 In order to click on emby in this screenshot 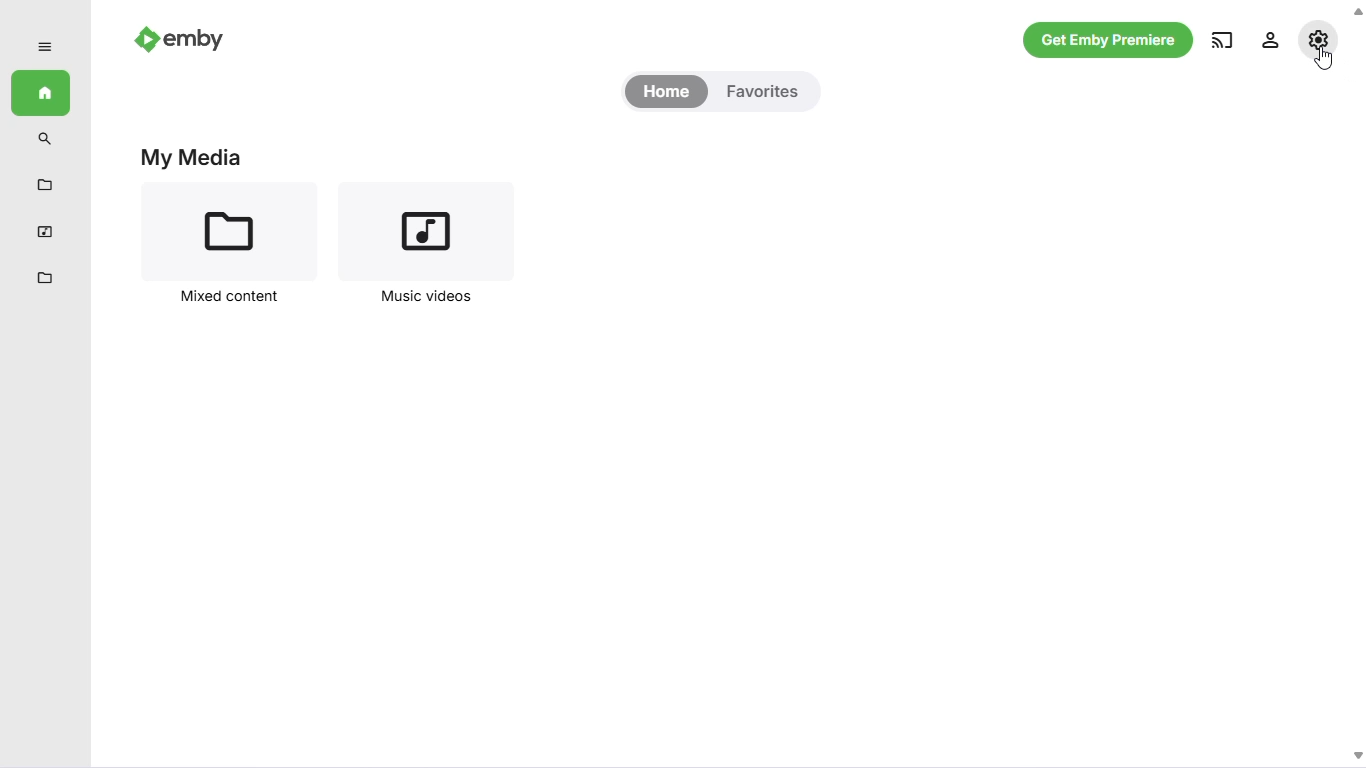, I will do `click(180, 38)`.